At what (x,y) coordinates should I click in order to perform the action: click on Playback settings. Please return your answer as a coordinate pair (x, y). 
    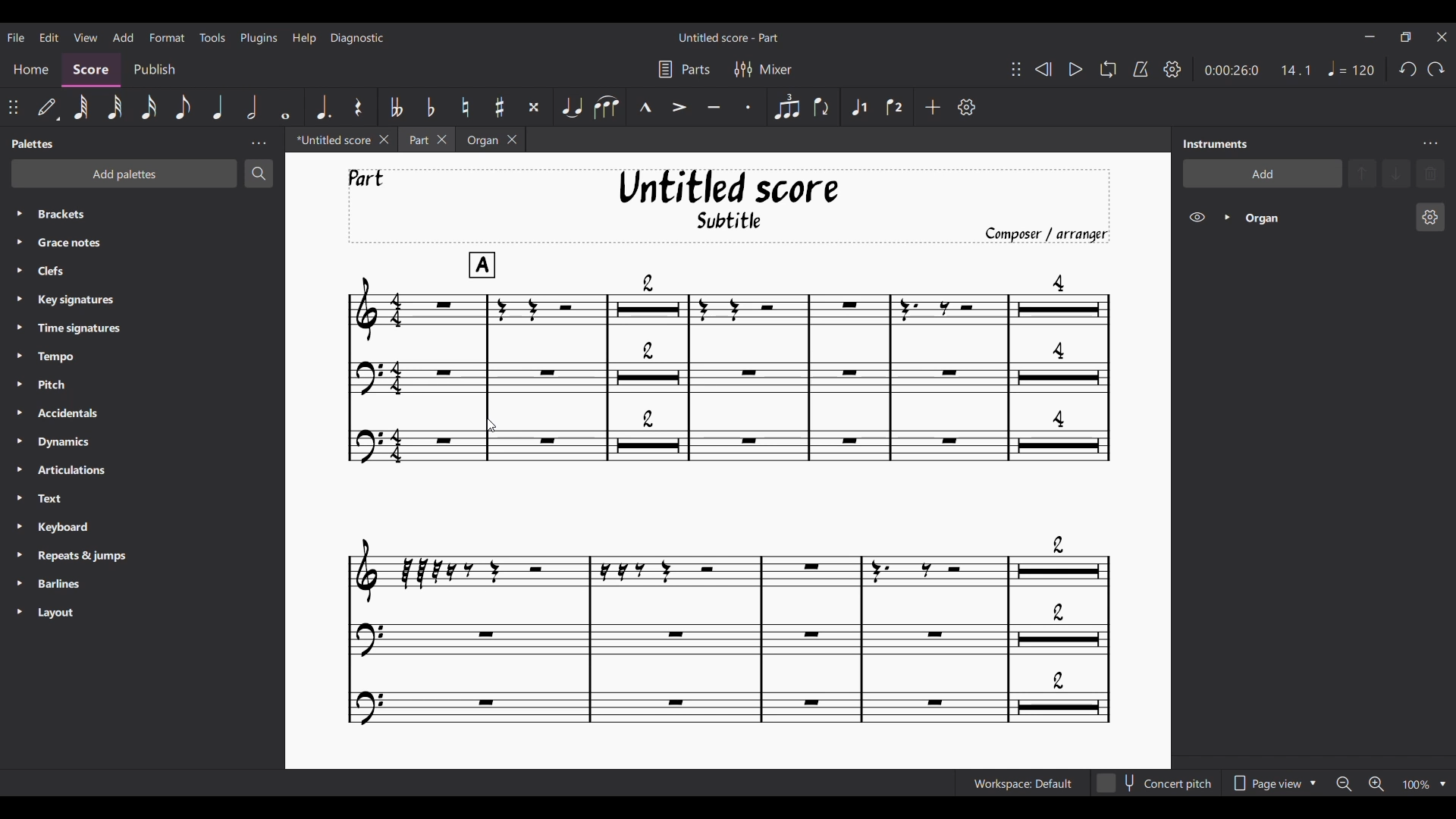
    Looking at the image, I should click on (1172, 68).